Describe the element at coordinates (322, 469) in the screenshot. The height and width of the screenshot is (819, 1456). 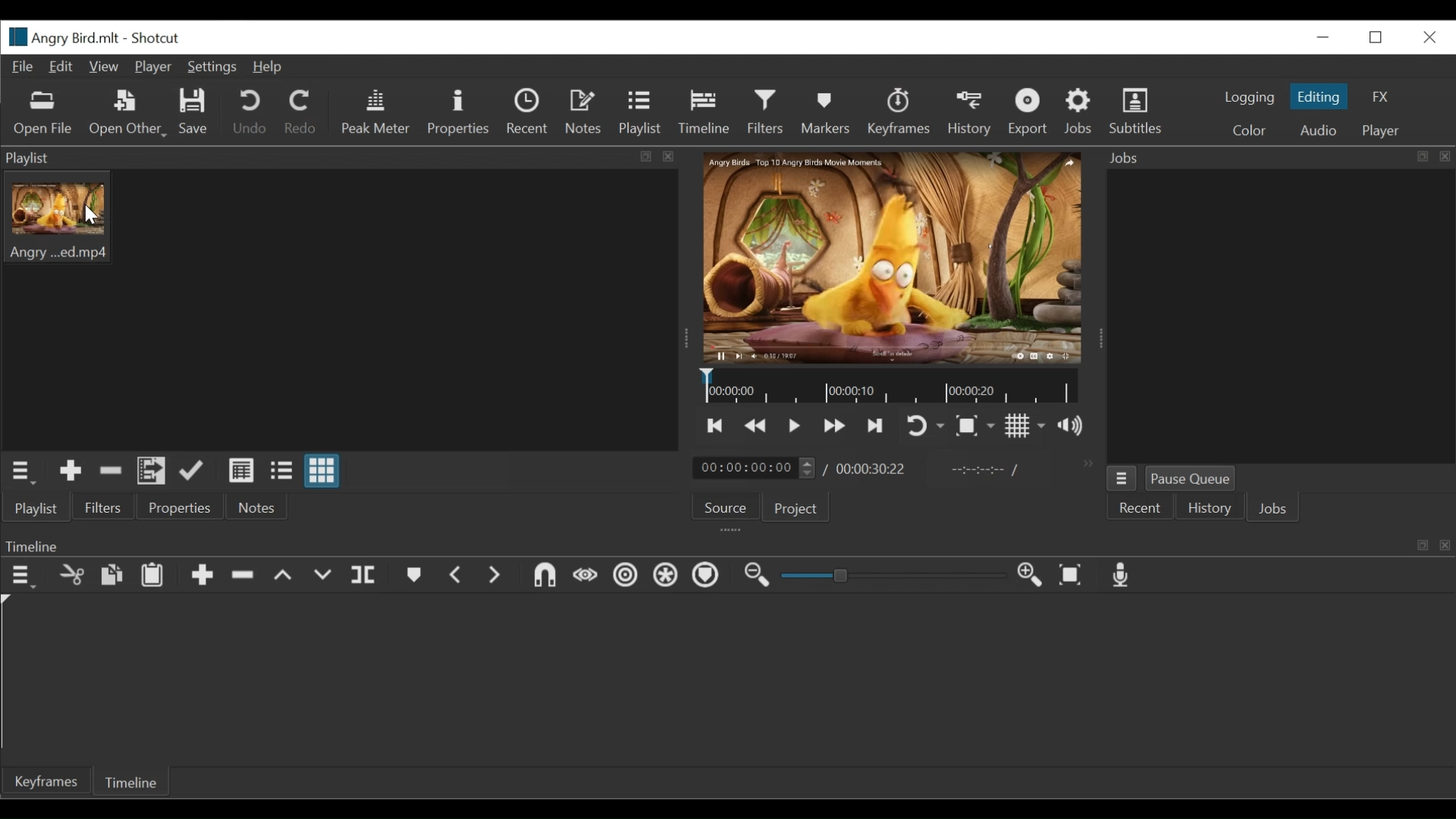
I see `View as icons` at that location.